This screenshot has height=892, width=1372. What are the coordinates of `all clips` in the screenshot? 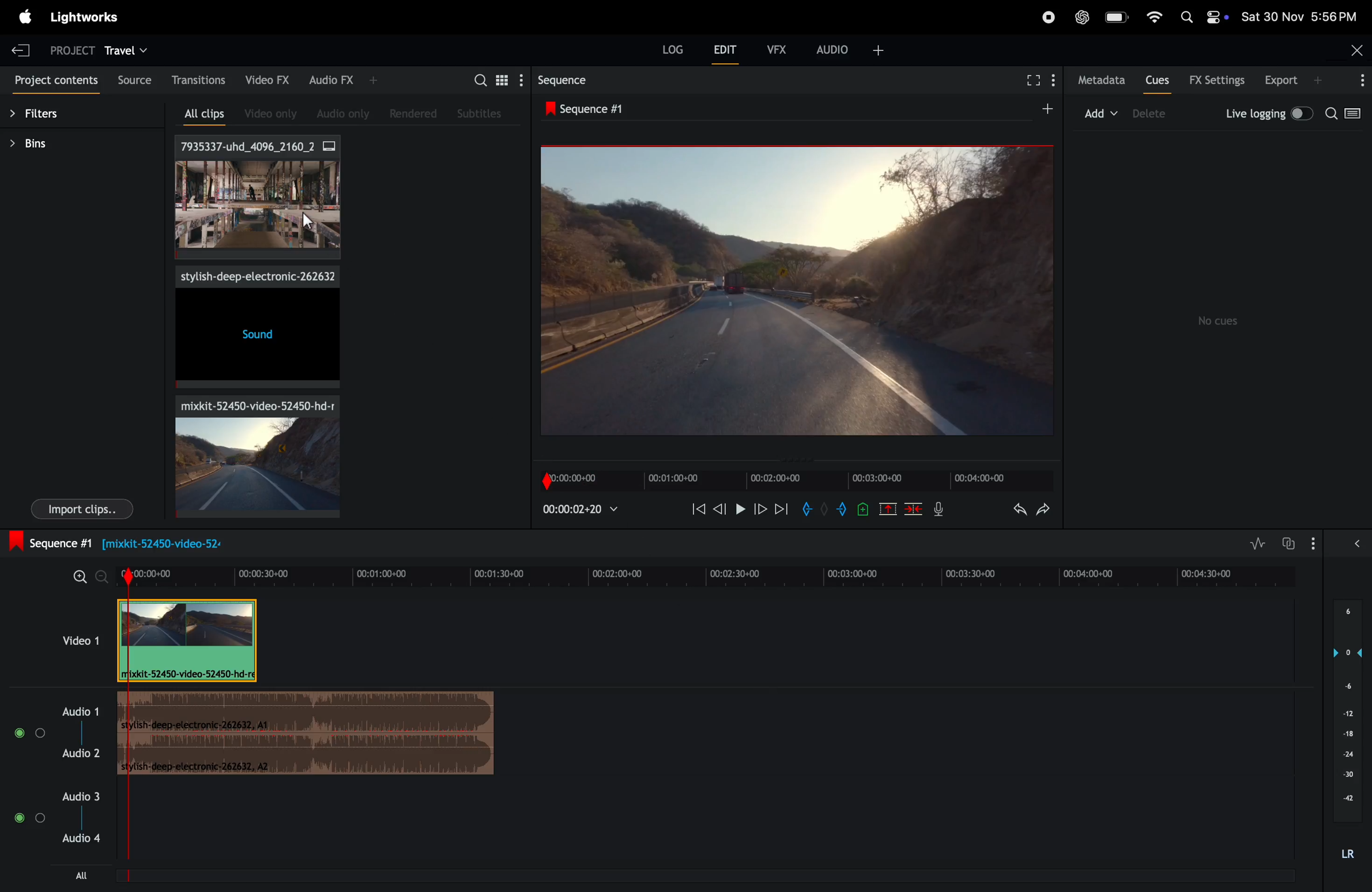 It's located at (198, 115).